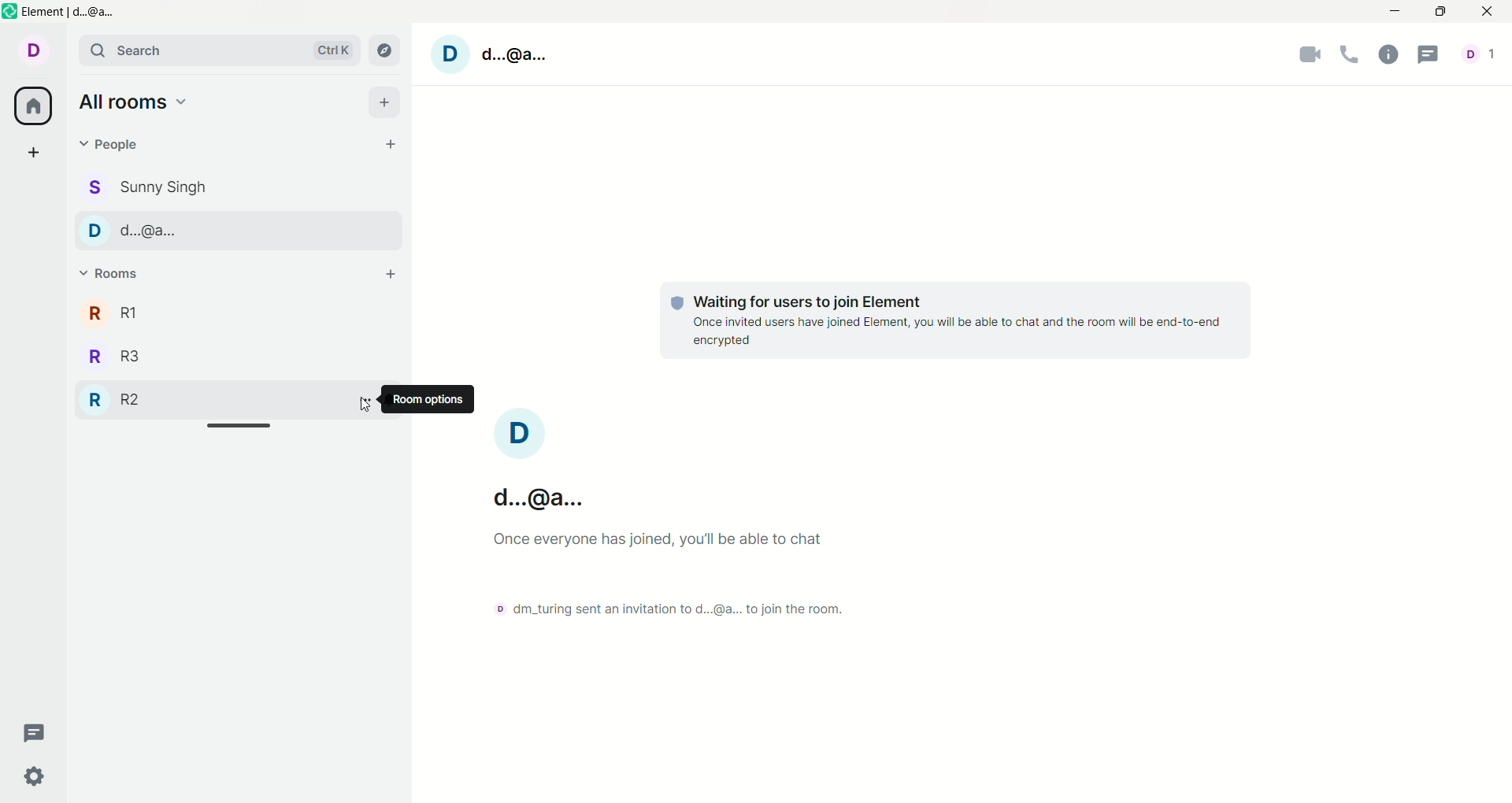  Describe the element at coordinates (673, 574) in the screenshot. I see `text` at that location.